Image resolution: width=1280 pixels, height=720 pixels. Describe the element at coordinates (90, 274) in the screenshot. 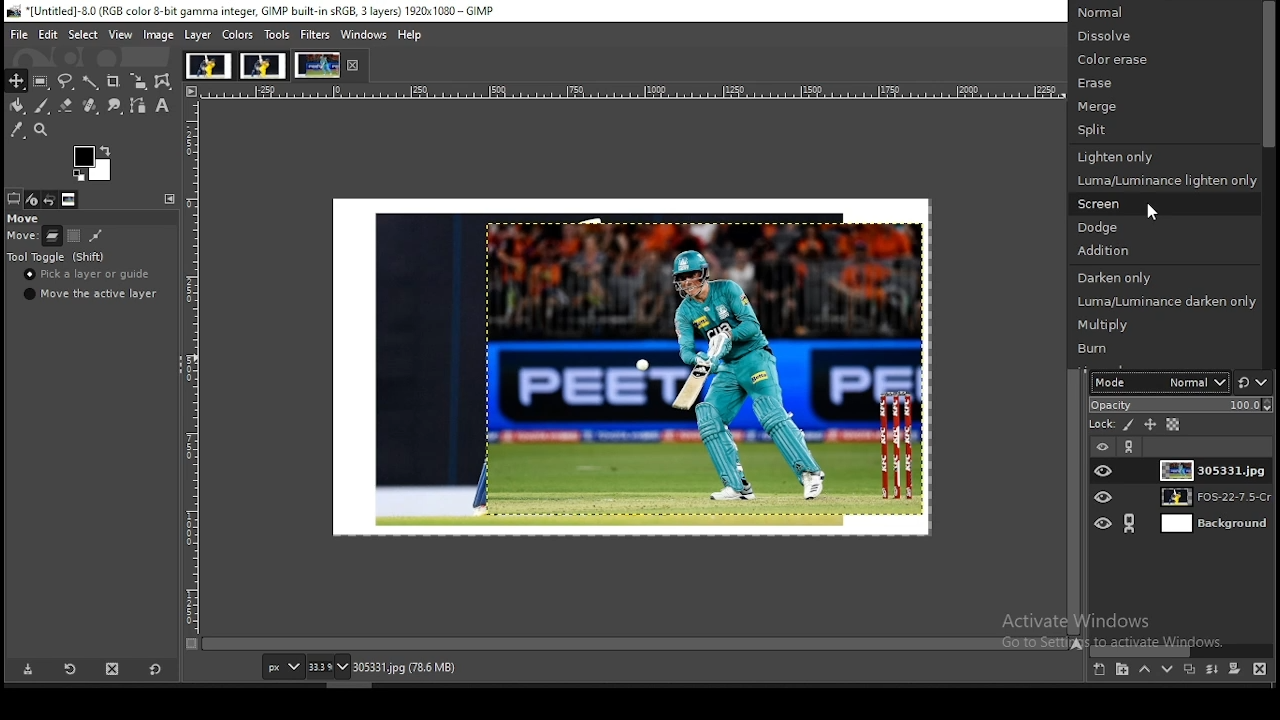

I see `pick a layer or guide` at that location.